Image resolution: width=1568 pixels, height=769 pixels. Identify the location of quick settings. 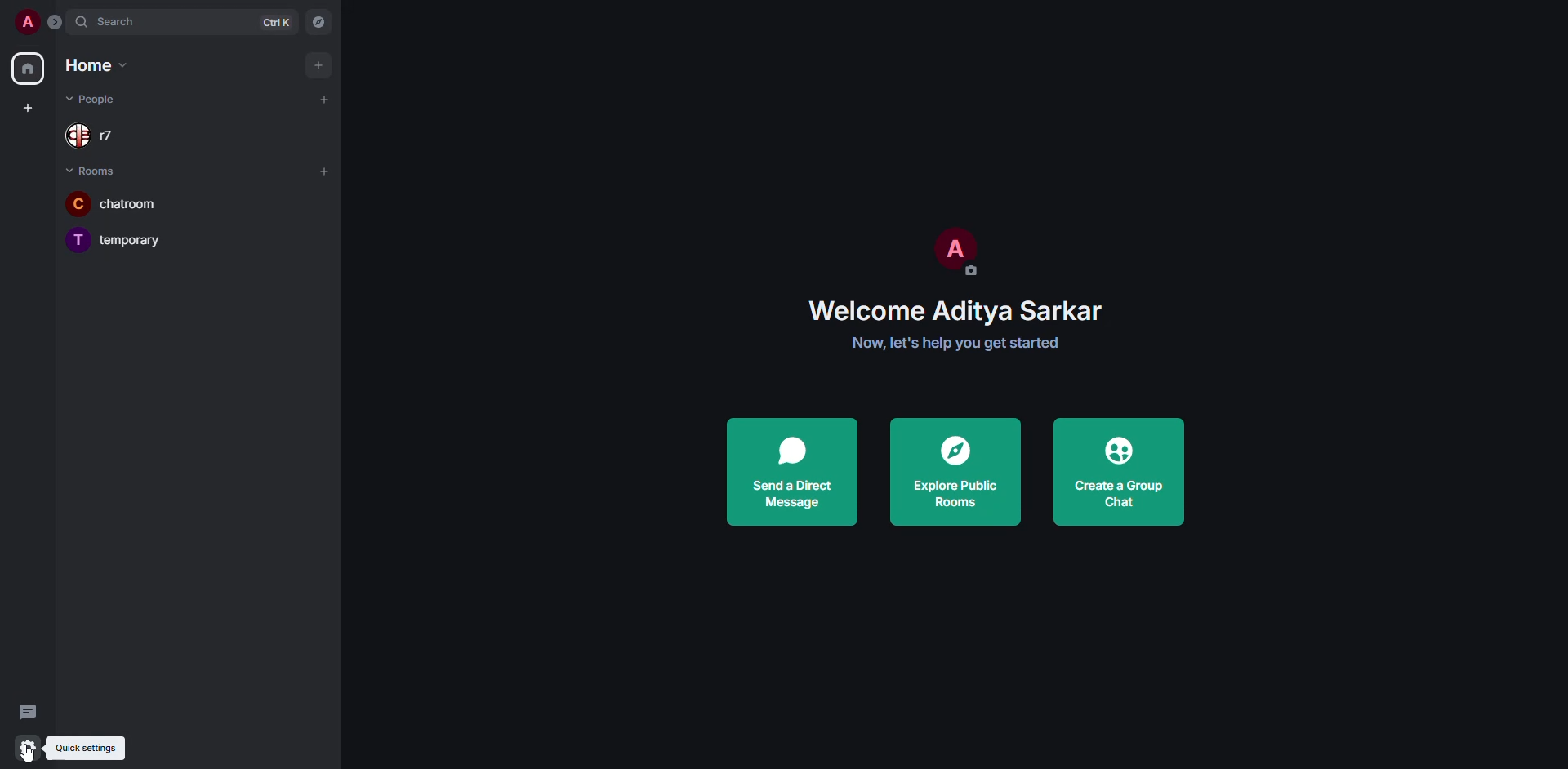
(85, 749).